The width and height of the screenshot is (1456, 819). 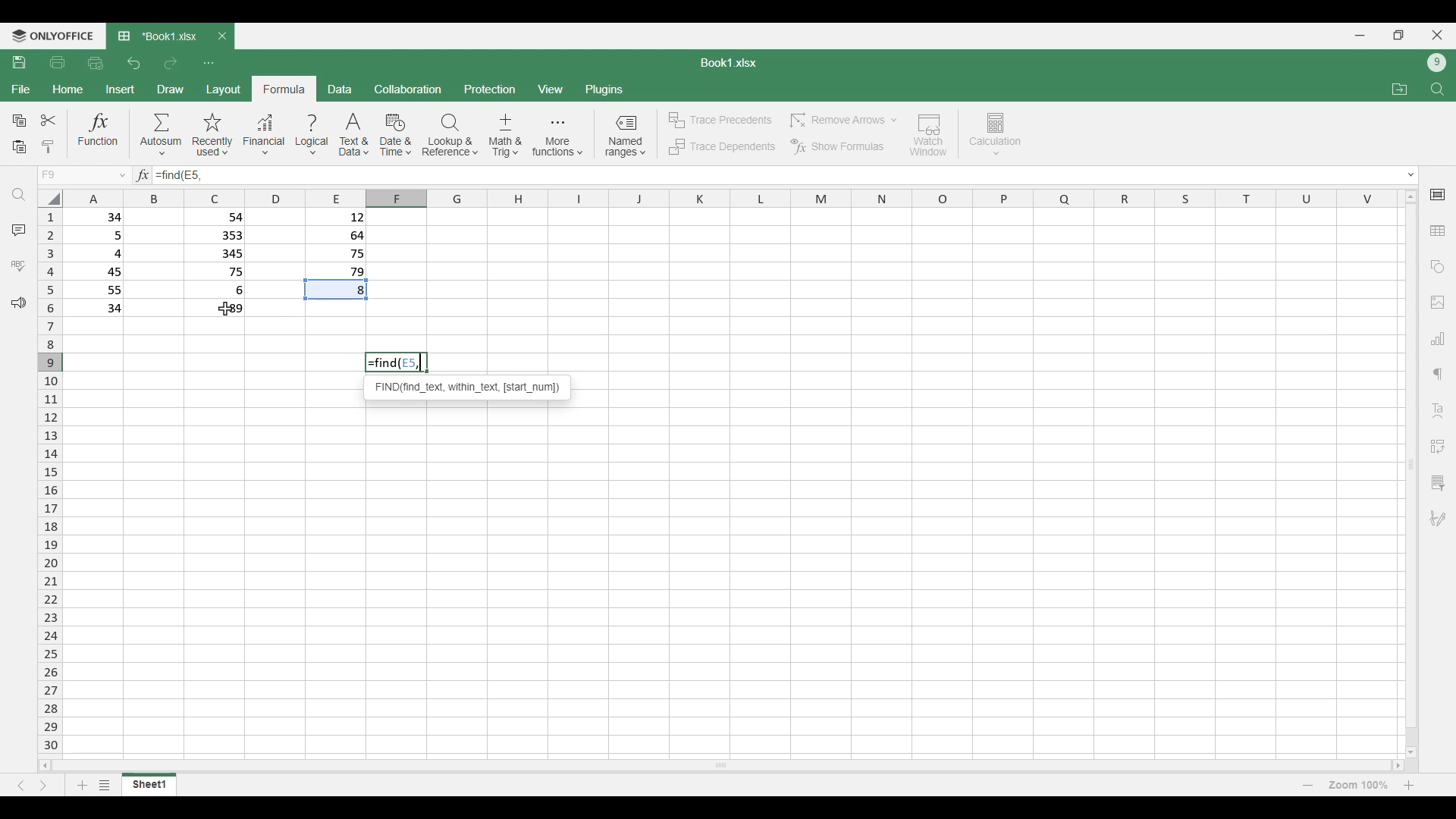 I want to click on Slicer, so click(x=1437, y=483).